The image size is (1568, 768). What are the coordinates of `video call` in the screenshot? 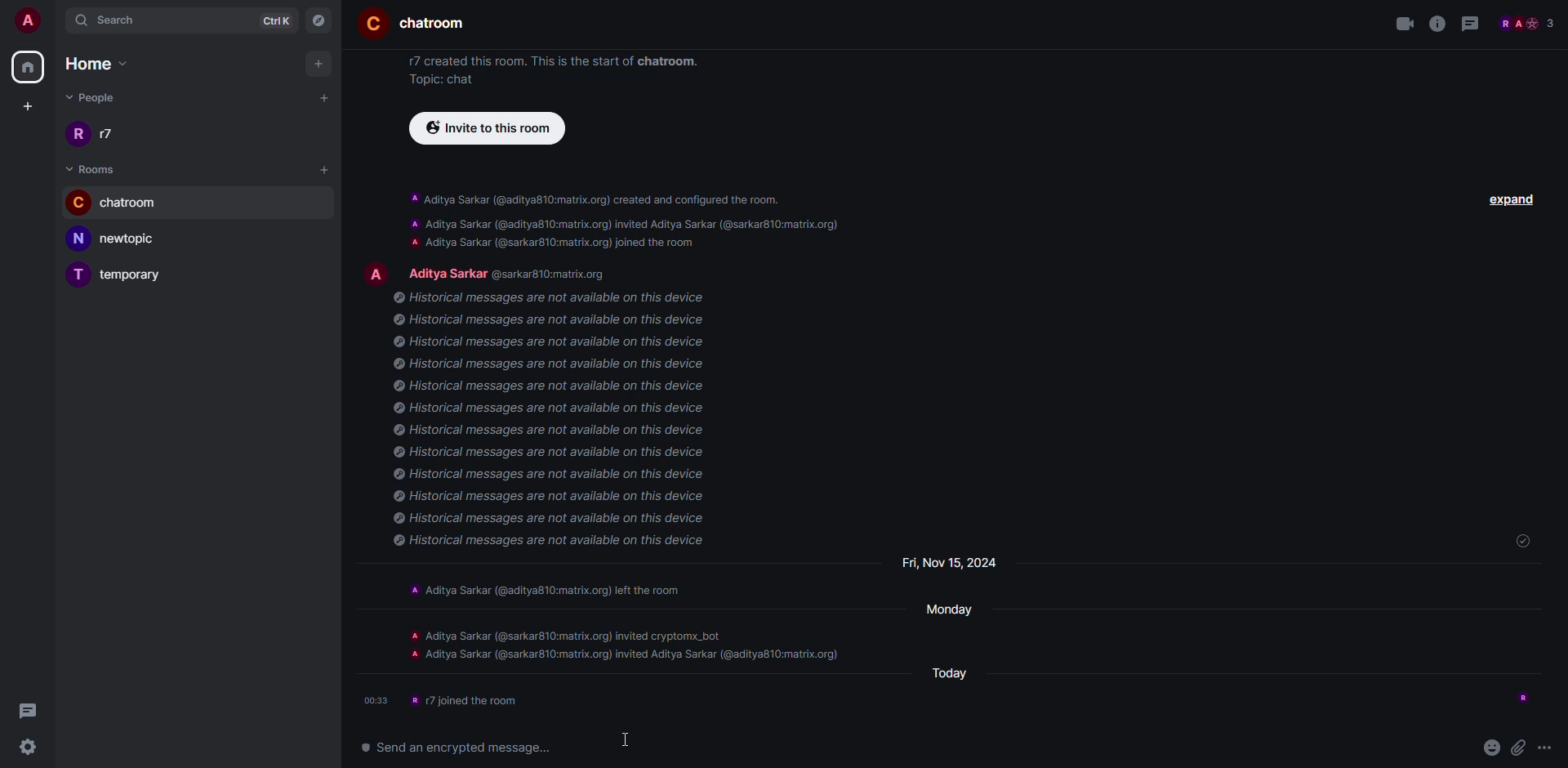 It's located at (1400, 25).